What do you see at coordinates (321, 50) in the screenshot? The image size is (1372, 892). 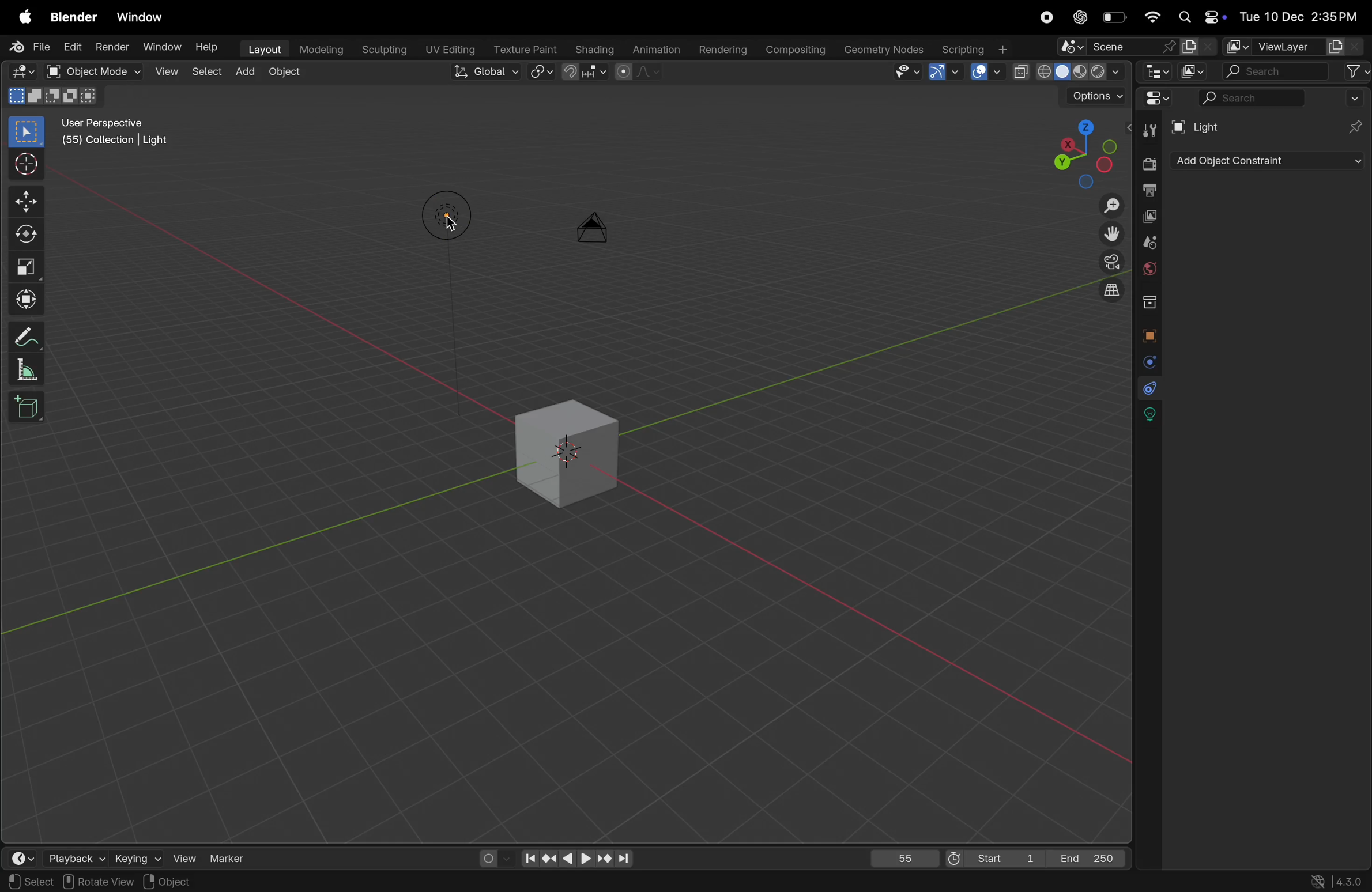 I see `modelling` at bounding box center [321, 50].